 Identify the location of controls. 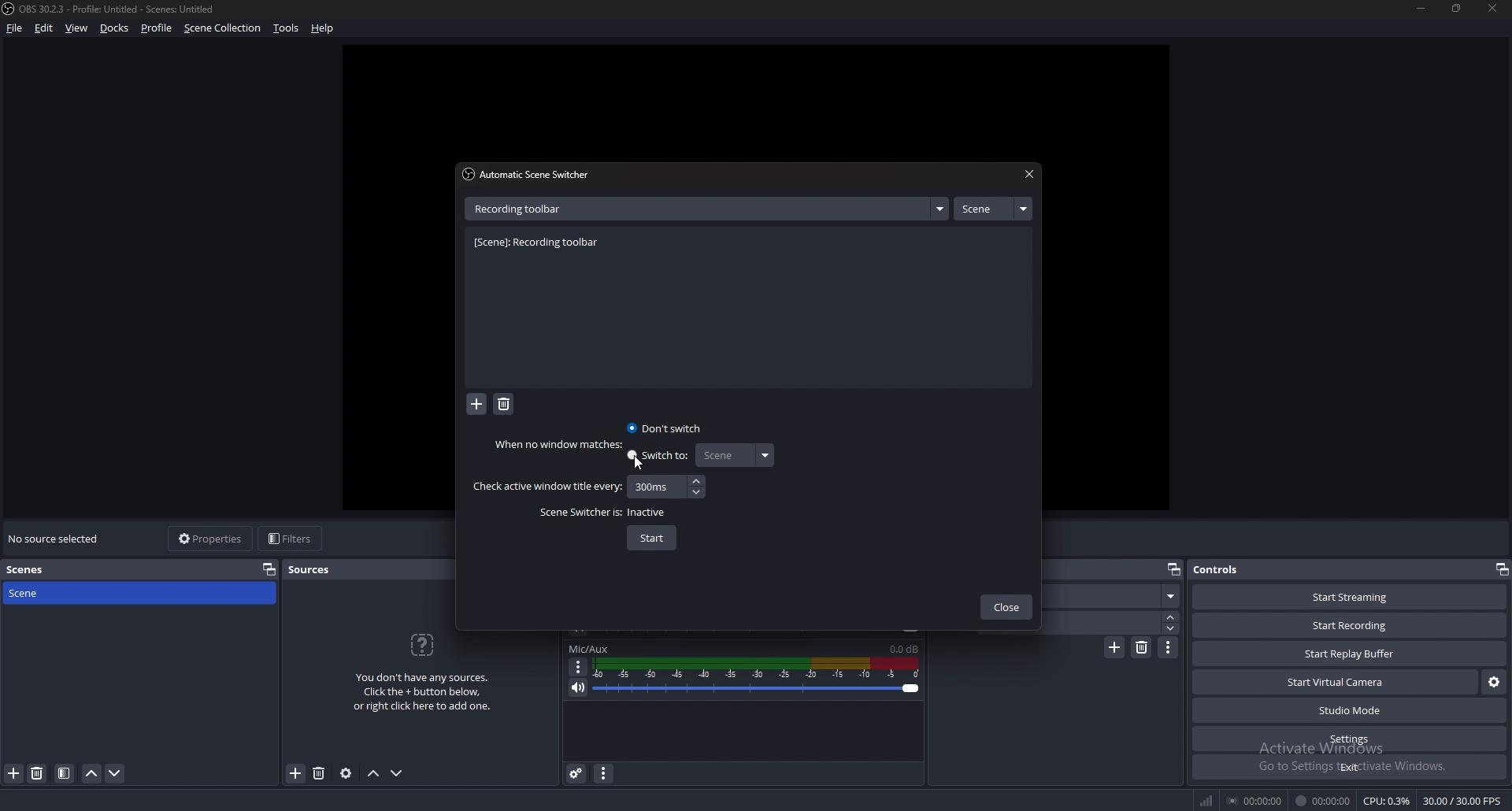
(1232, 568).